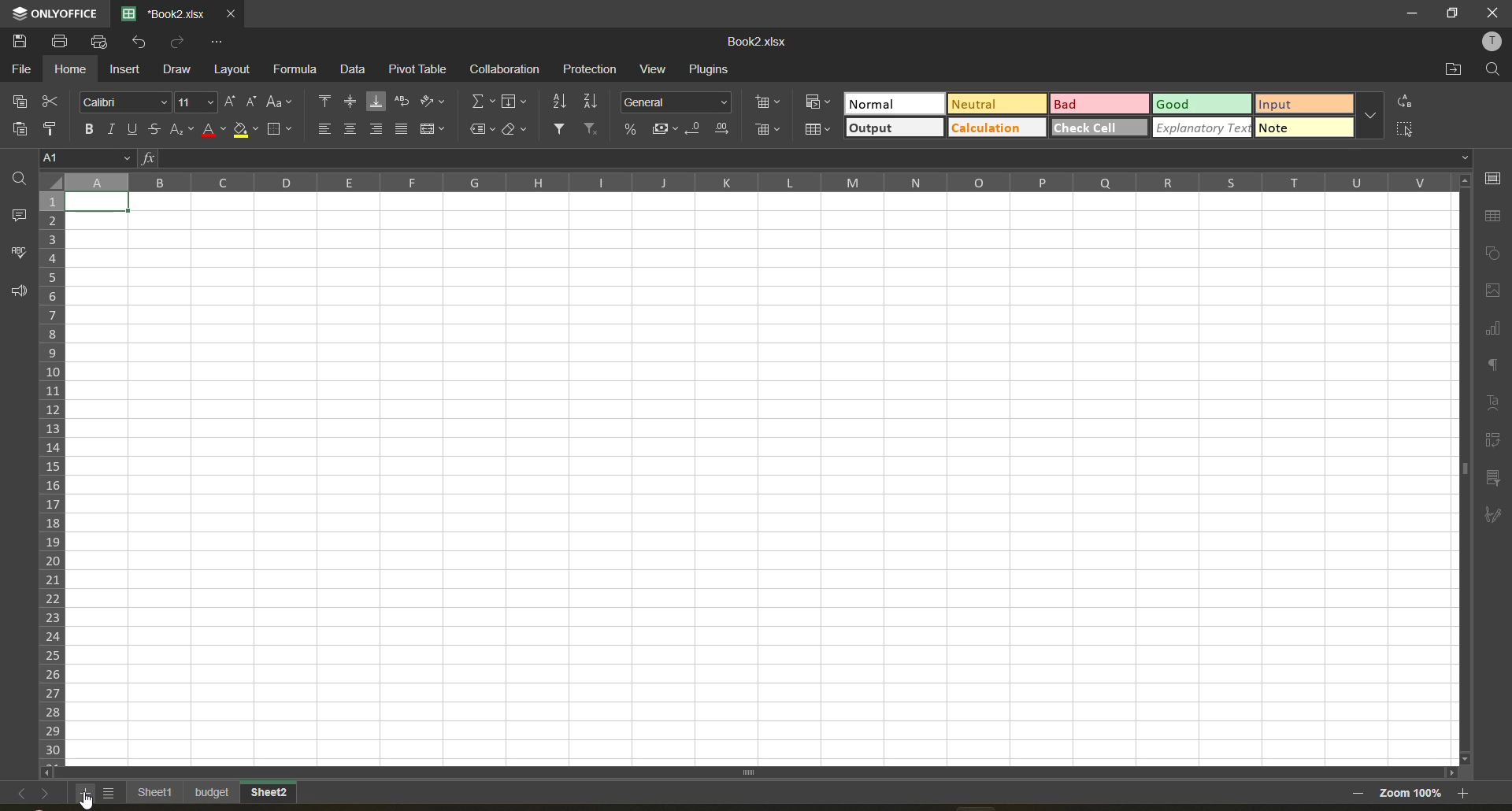  What do you see at coordinates (154, 791) in the screenshot?
I see `existing sheet names` at bounding box center [154, 791].